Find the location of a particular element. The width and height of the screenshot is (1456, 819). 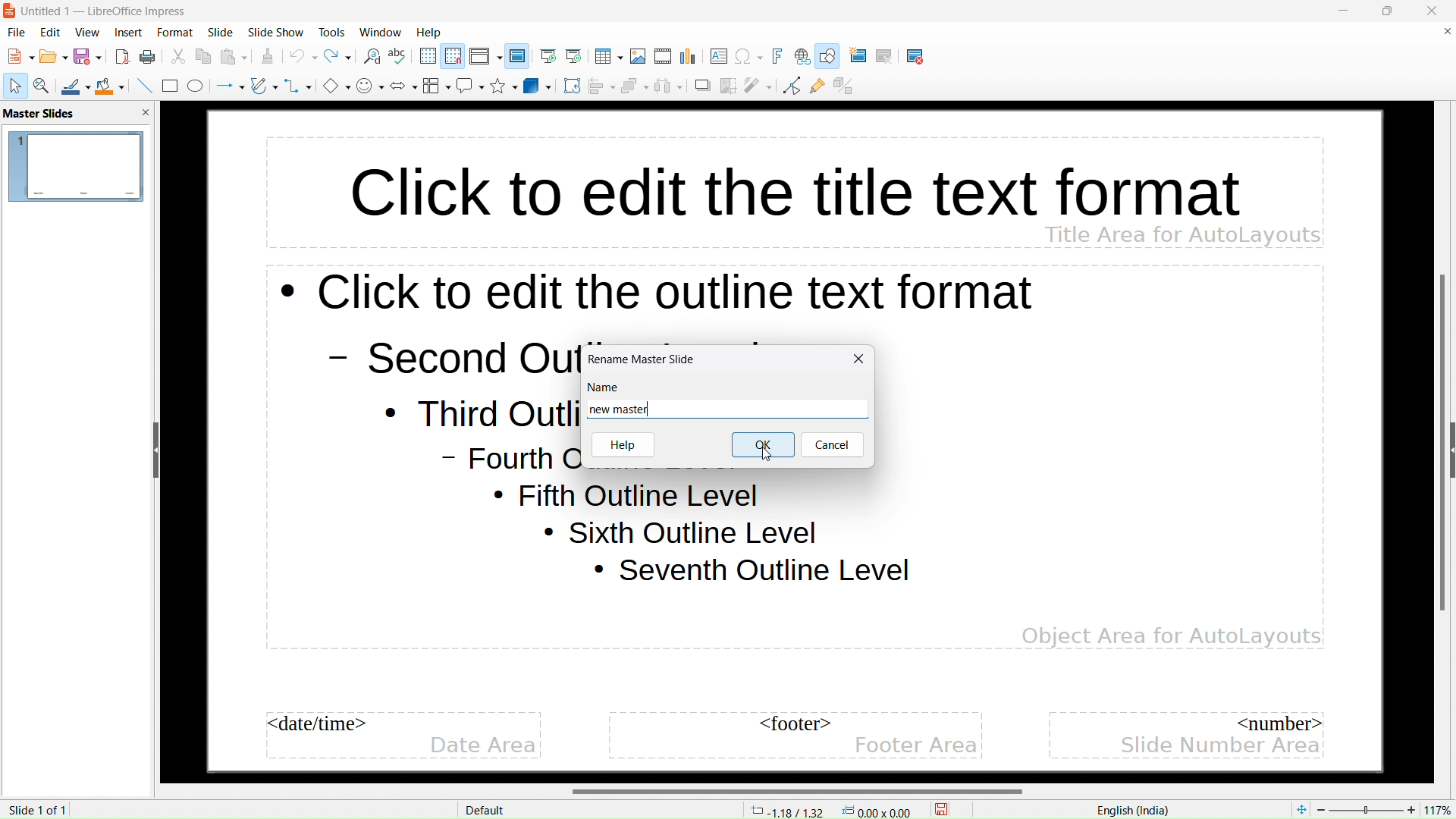

expand is located at coordinates (1451, 450).